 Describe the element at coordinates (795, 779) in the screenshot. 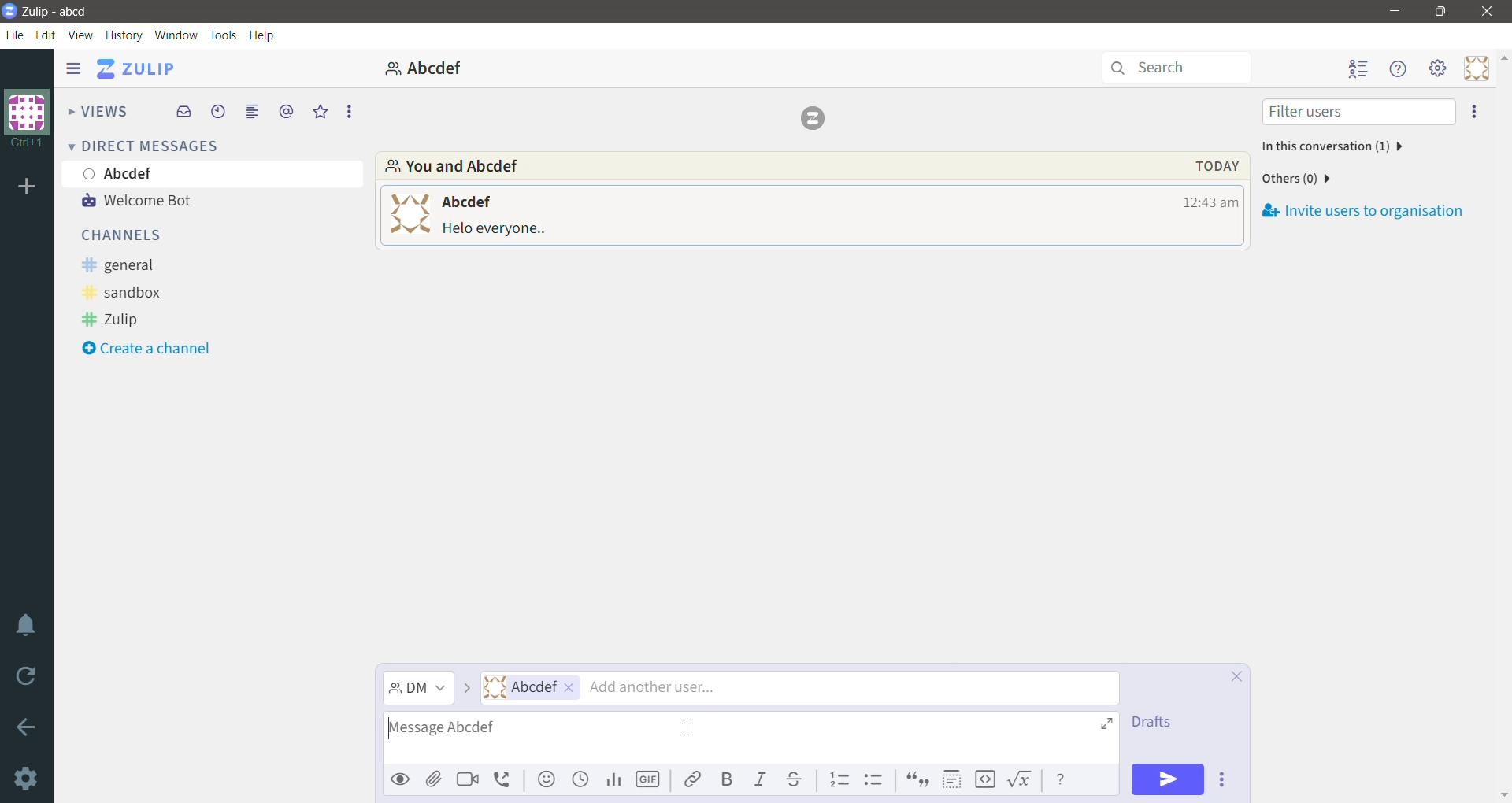

I see `Strikethrough` at that location.